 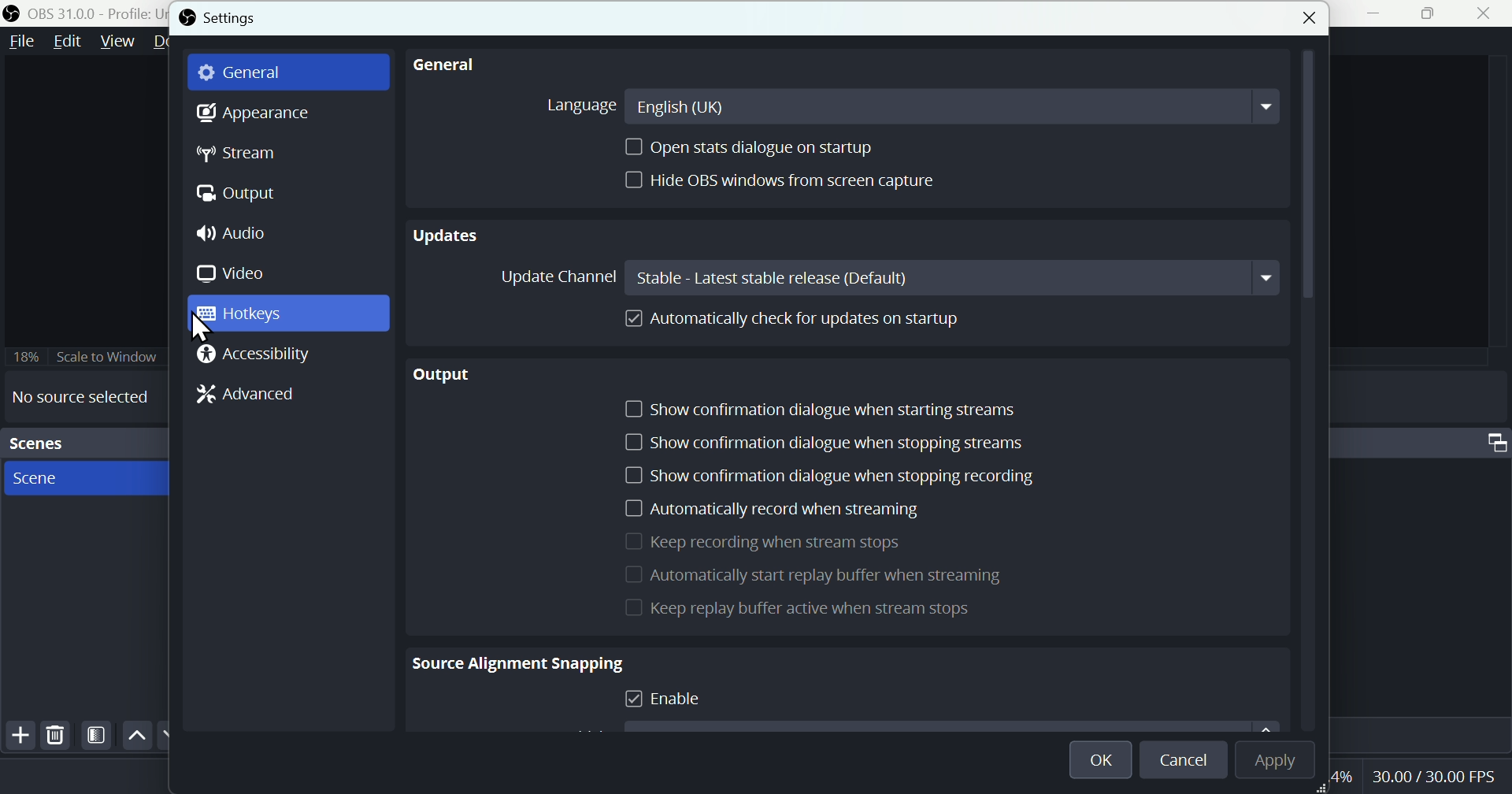 I want to click on O K, so click(x=1099, y=759).